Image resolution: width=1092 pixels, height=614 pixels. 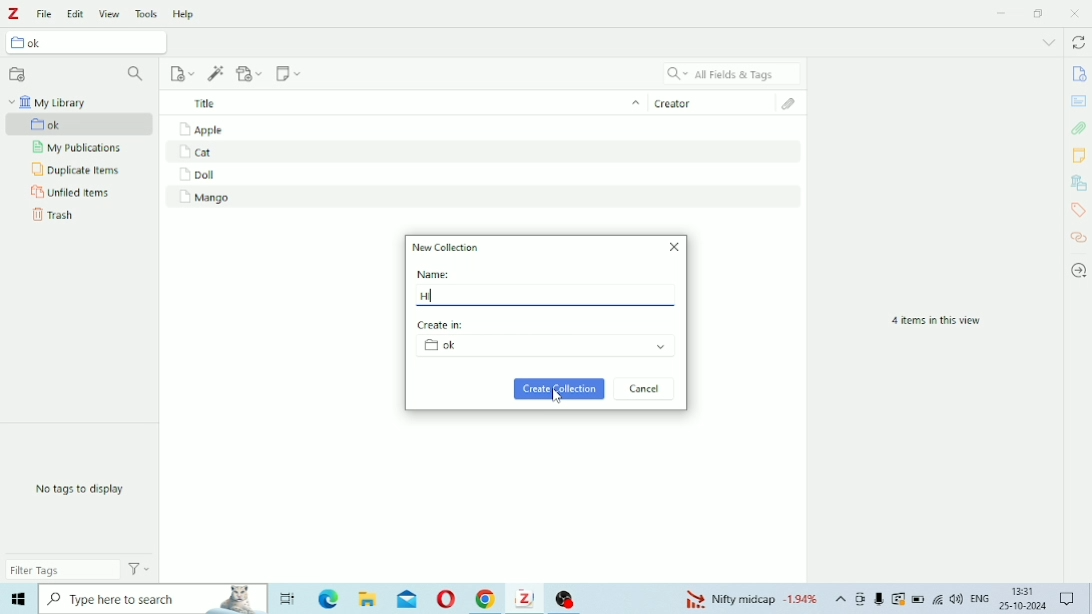 What do you see at coordinates (1080, 237) in the screenshot?
I see `Related` at bounding box center [1080, 237].